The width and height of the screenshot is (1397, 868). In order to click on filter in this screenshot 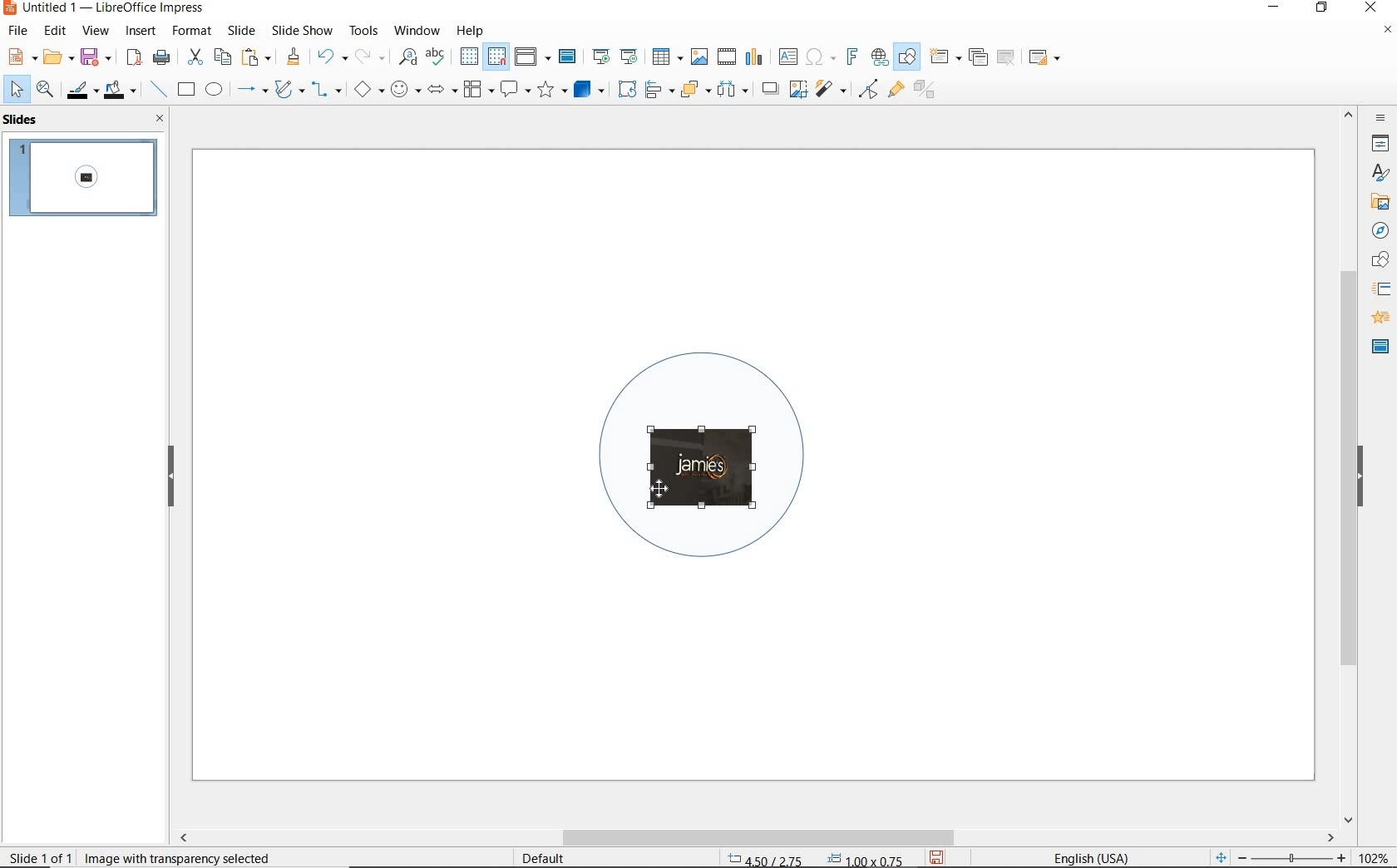, I will do `click(832, 86)`.